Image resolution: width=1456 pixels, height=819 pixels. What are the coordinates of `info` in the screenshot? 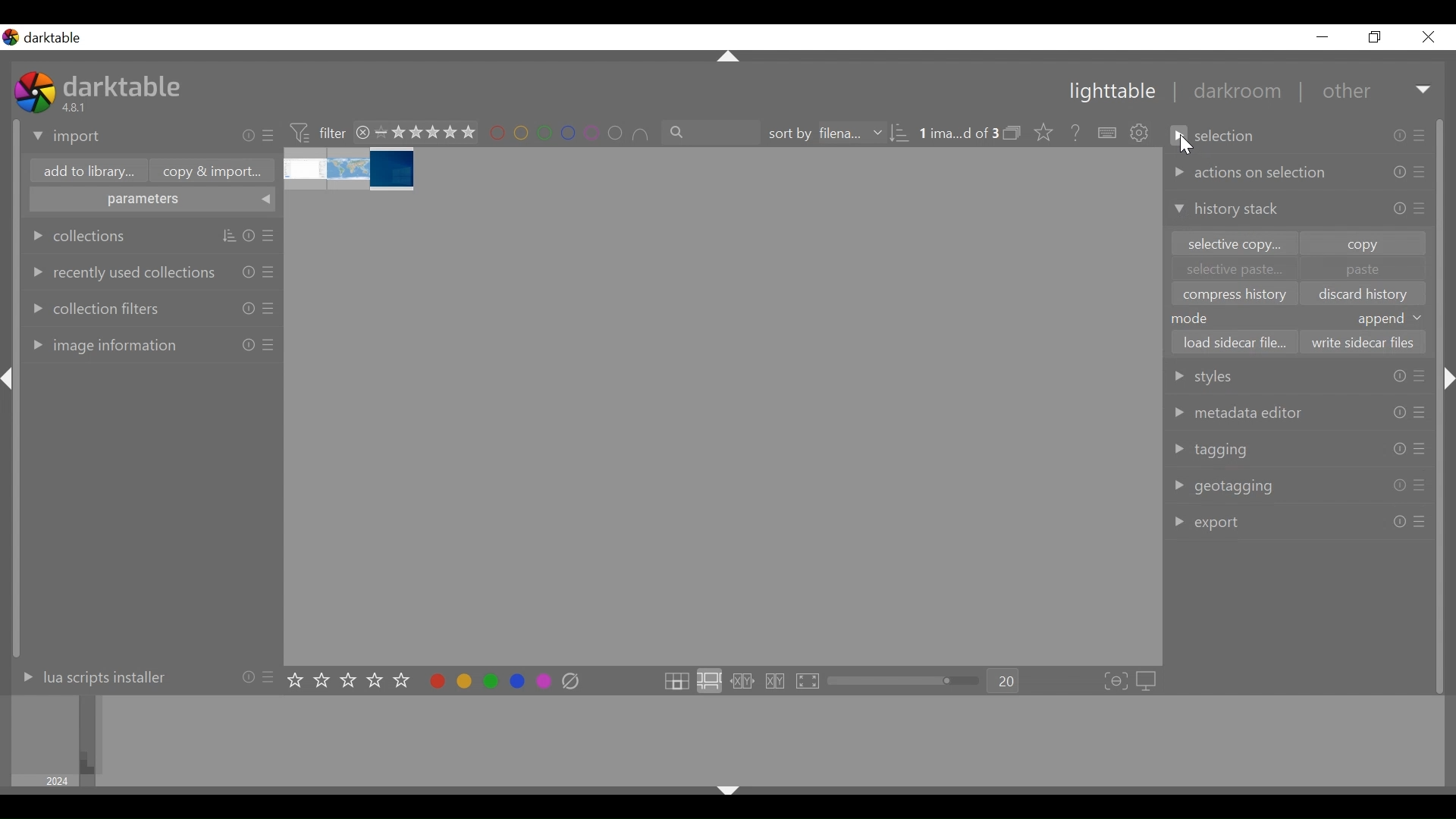 It's located at (1399, 522).